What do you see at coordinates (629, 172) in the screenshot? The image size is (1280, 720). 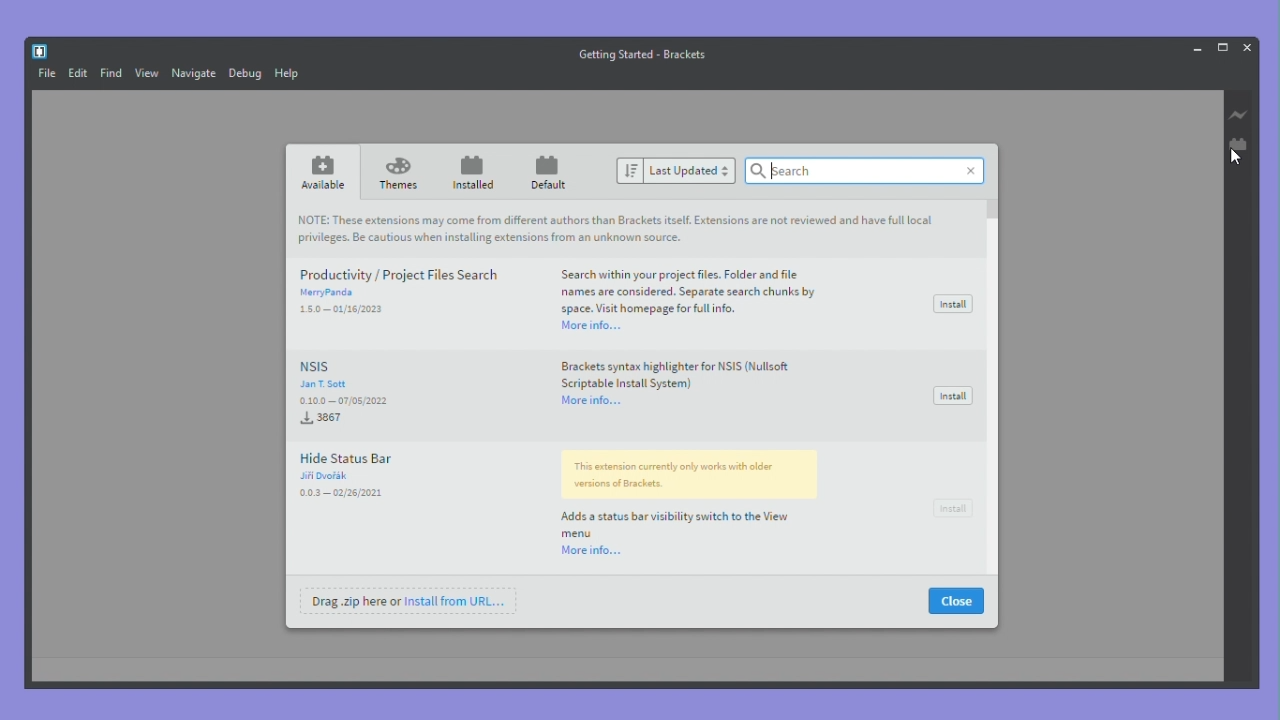 I see `Sort` at bounding box center [629, 172].